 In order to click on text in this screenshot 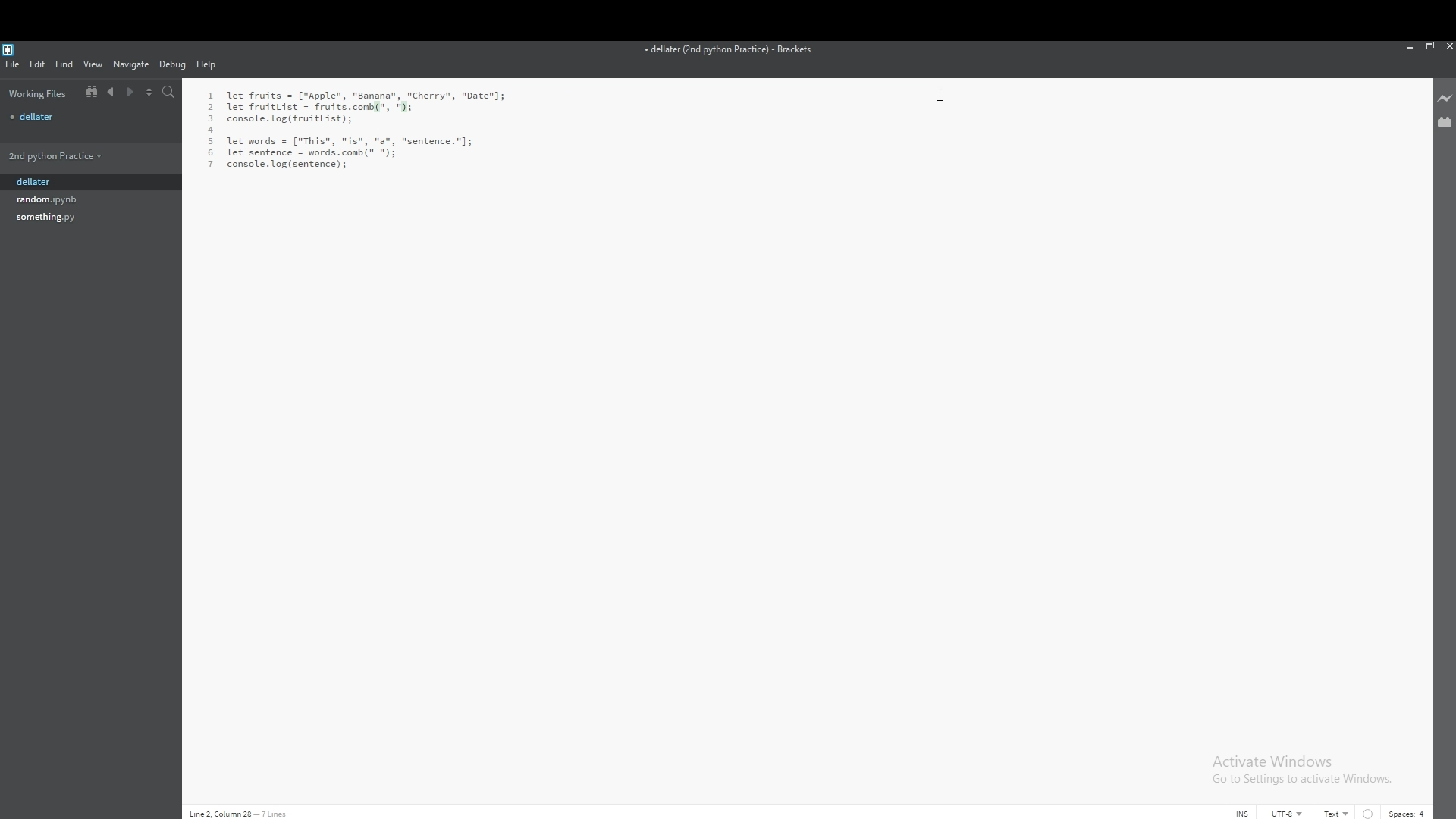, I will do `click(1338, 813)`.